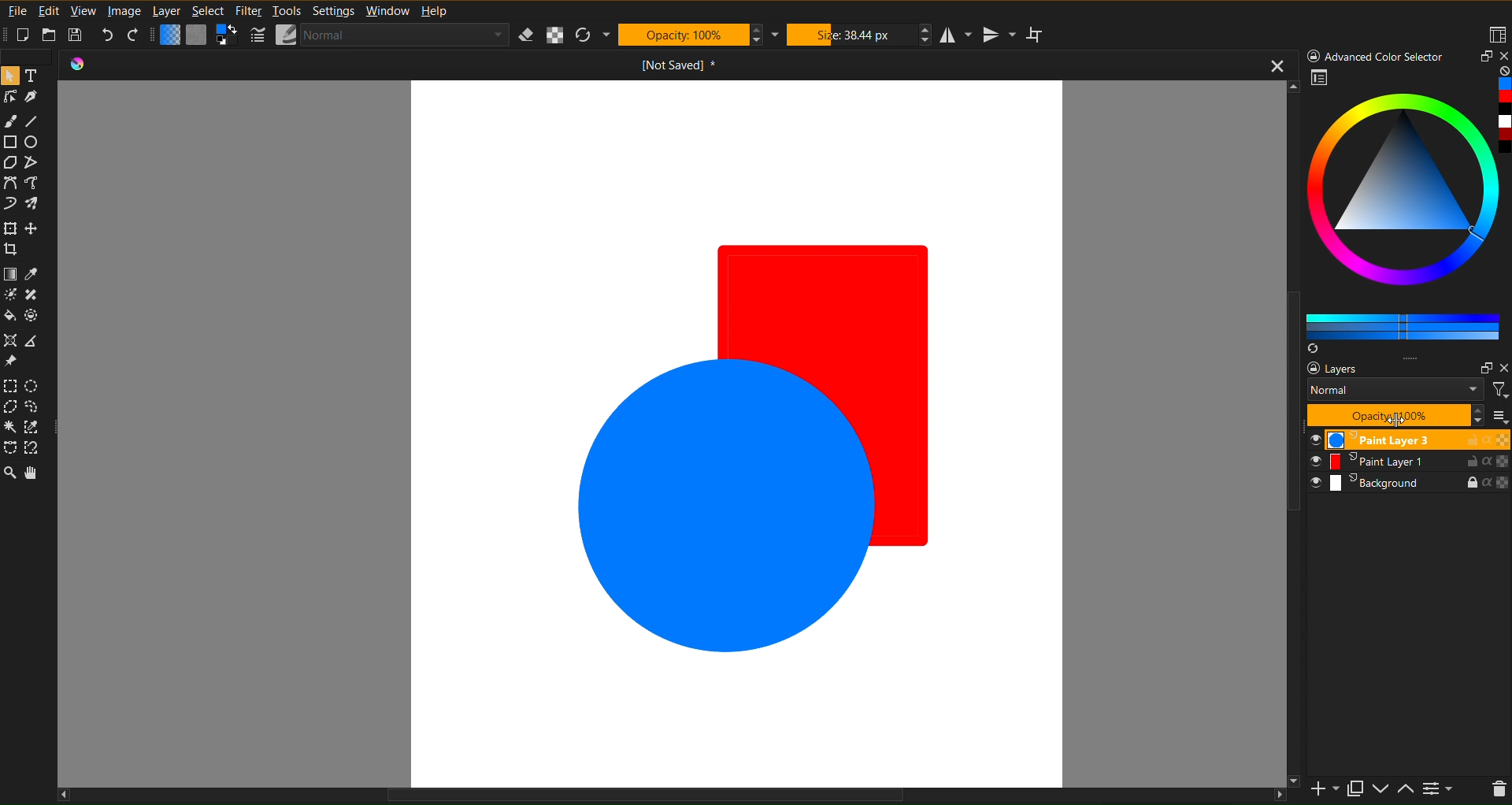  What do you see at coordinates (434, 12) in the screenshot?
I see `Help` at bounding box center [434, 12].